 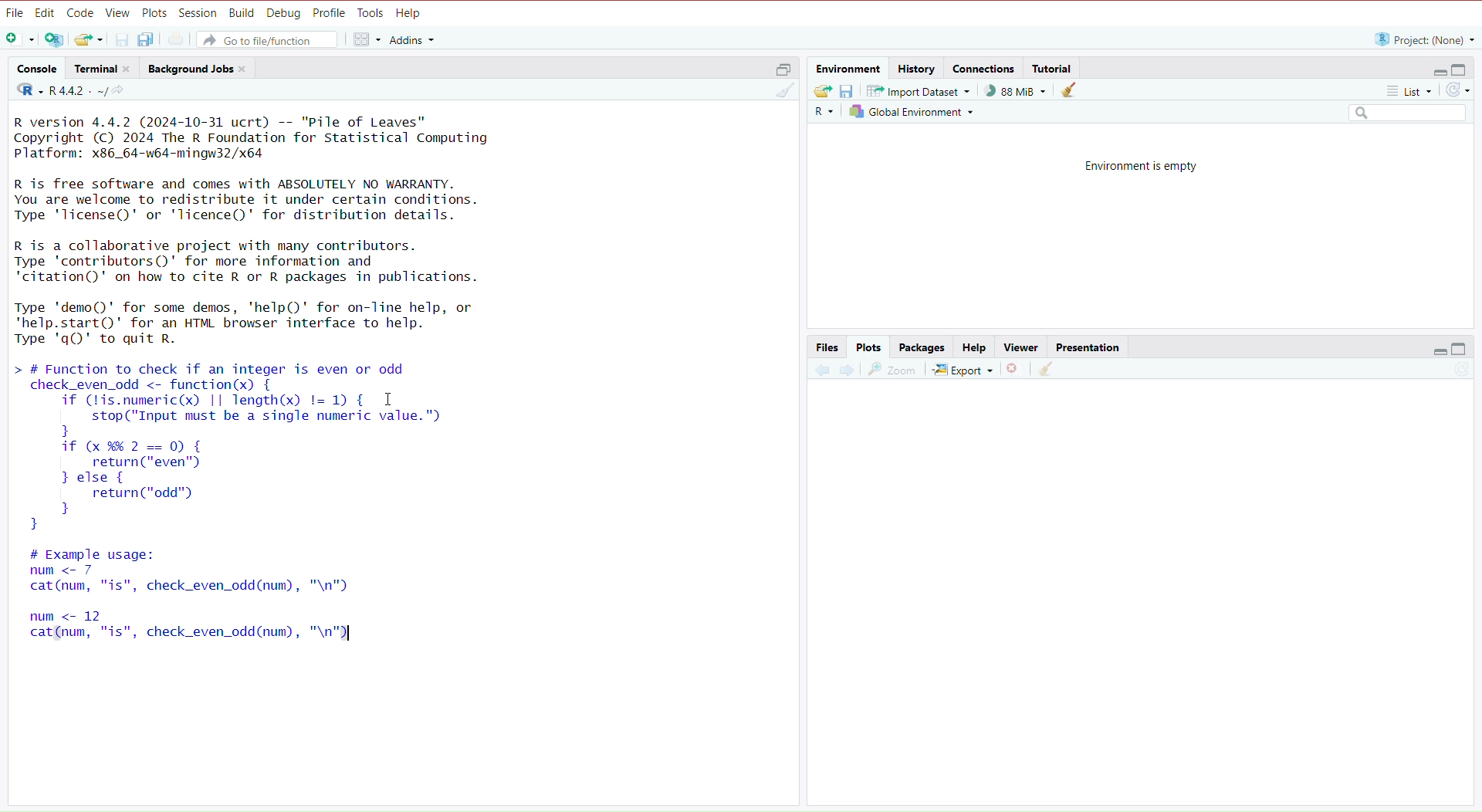 I want to click on clear object from workspace, so click(x=1071, y=92).